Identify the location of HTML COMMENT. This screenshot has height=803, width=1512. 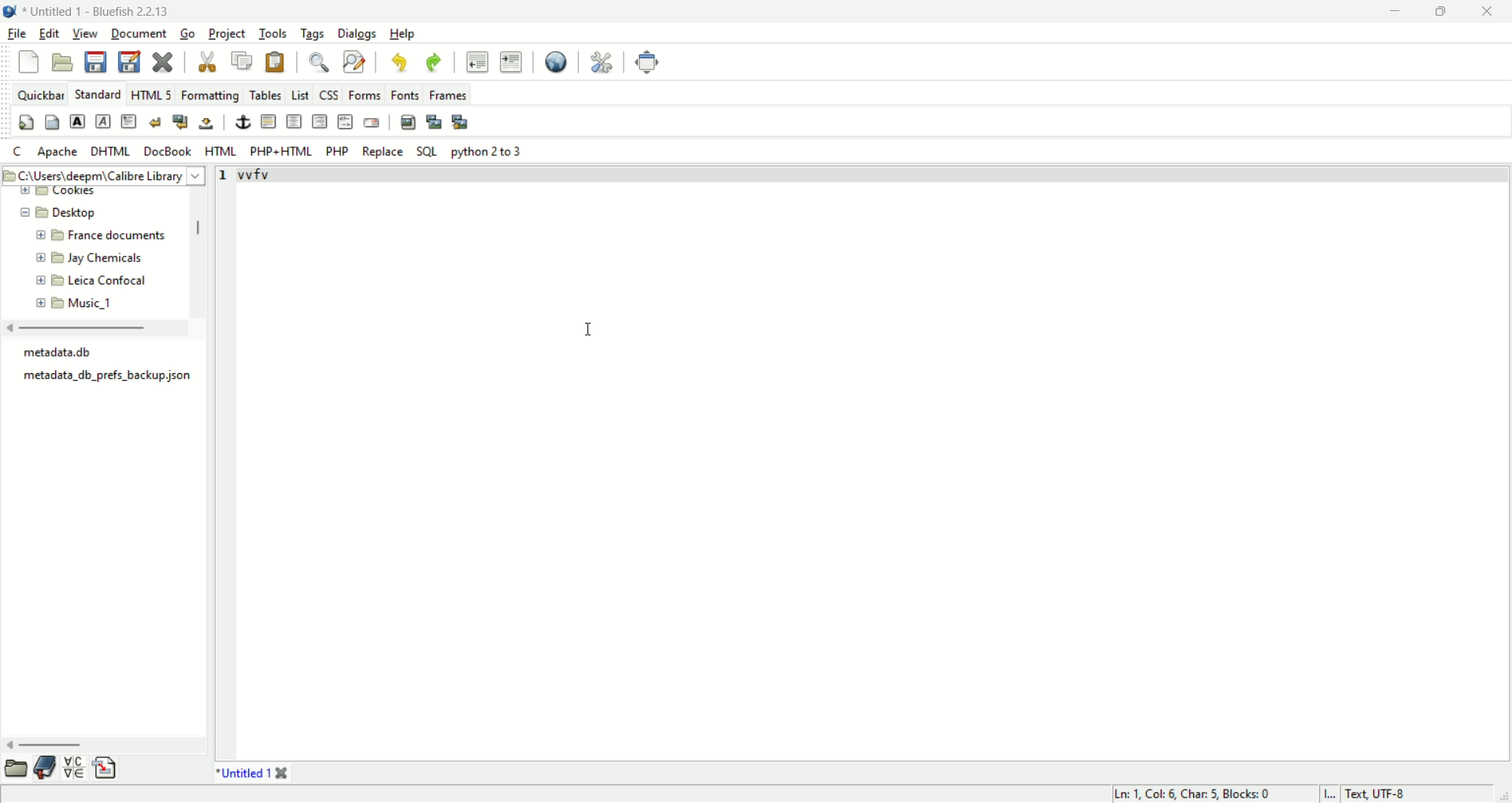
(343, 120).